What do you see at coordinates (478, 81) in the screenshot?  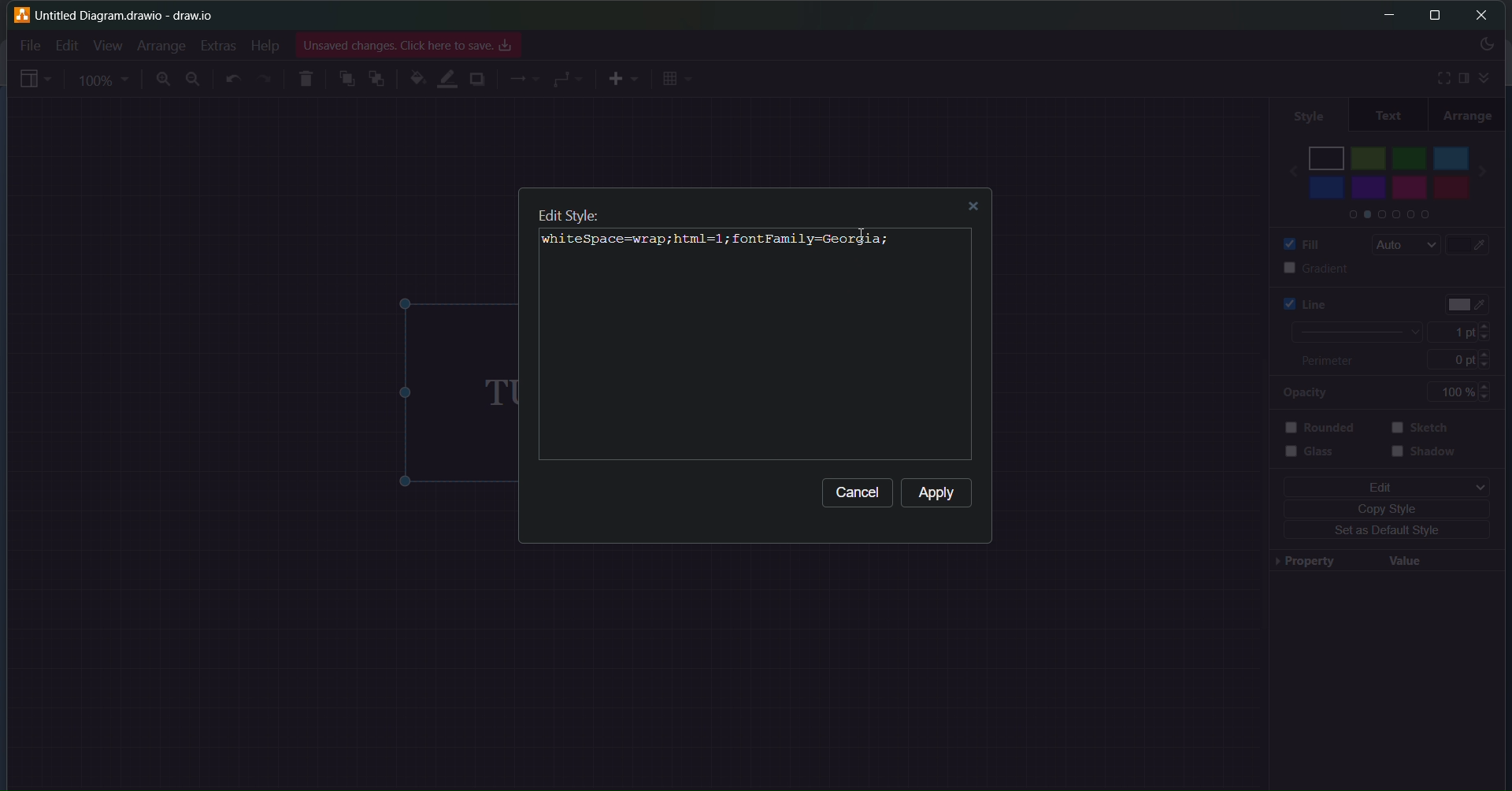 I see `shadow` at bounding box center [478, 81].